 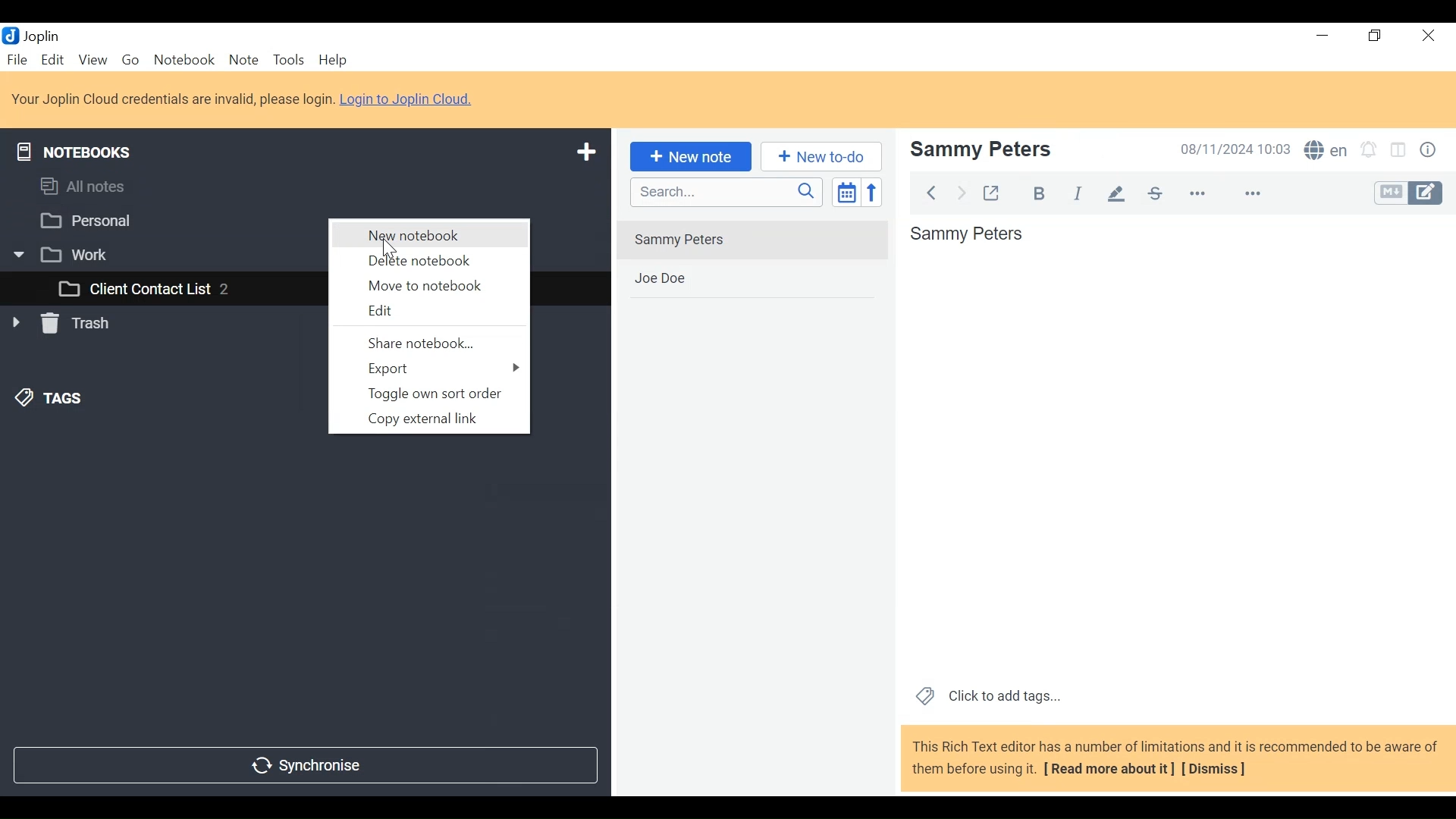 I want to click on Tools, so click(x=287, y=61).